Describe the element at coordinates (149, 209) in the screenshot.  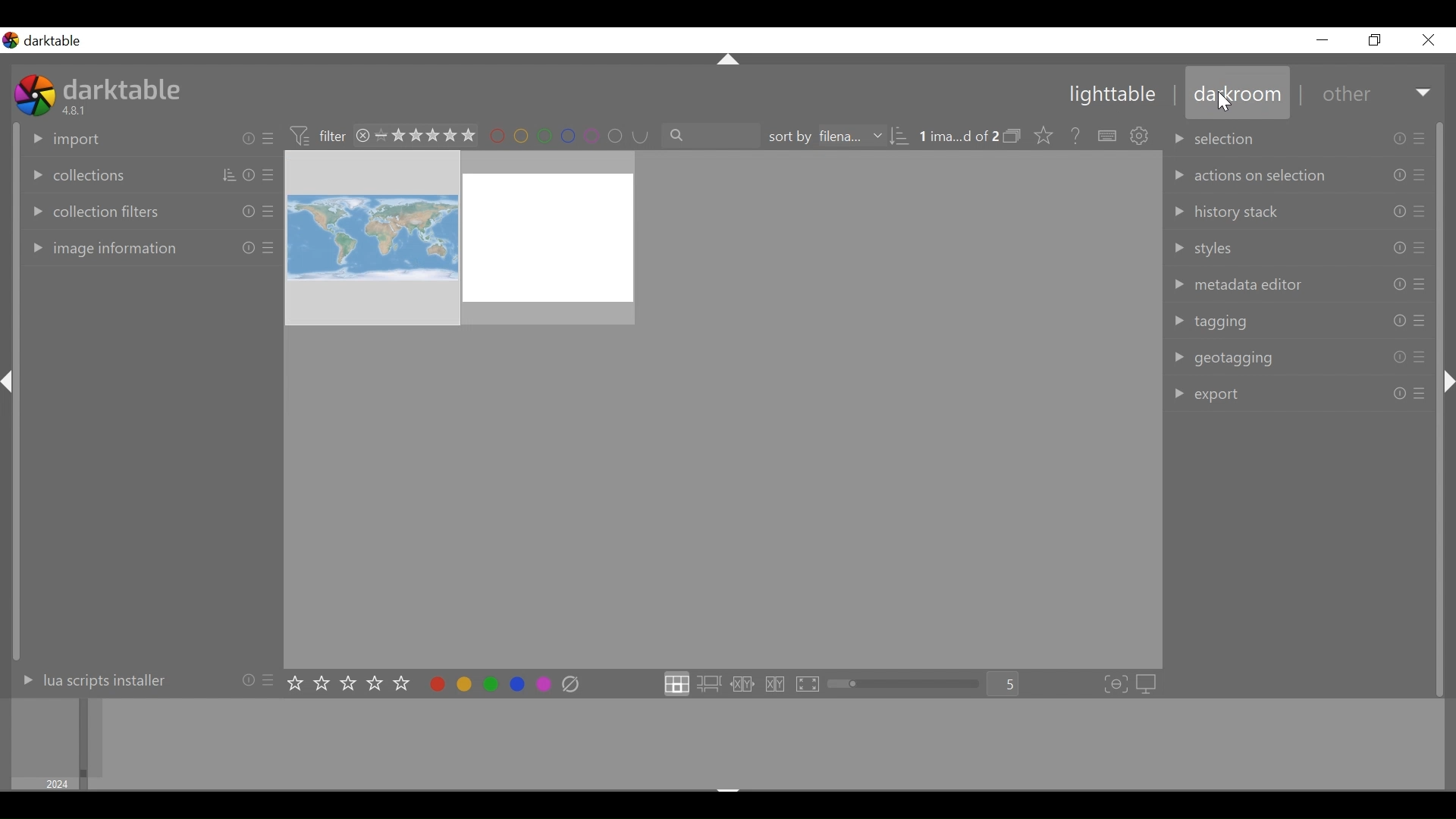
I see `Collection filters` at that location.